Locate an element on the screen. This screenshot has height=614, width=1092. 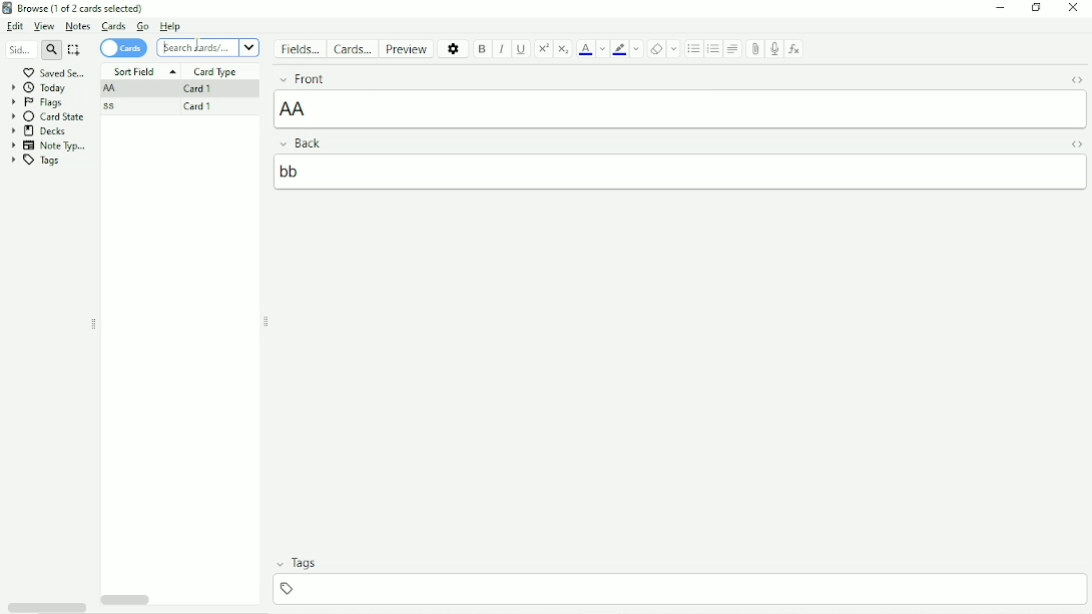
add tag is located at coordinates (684, 587).